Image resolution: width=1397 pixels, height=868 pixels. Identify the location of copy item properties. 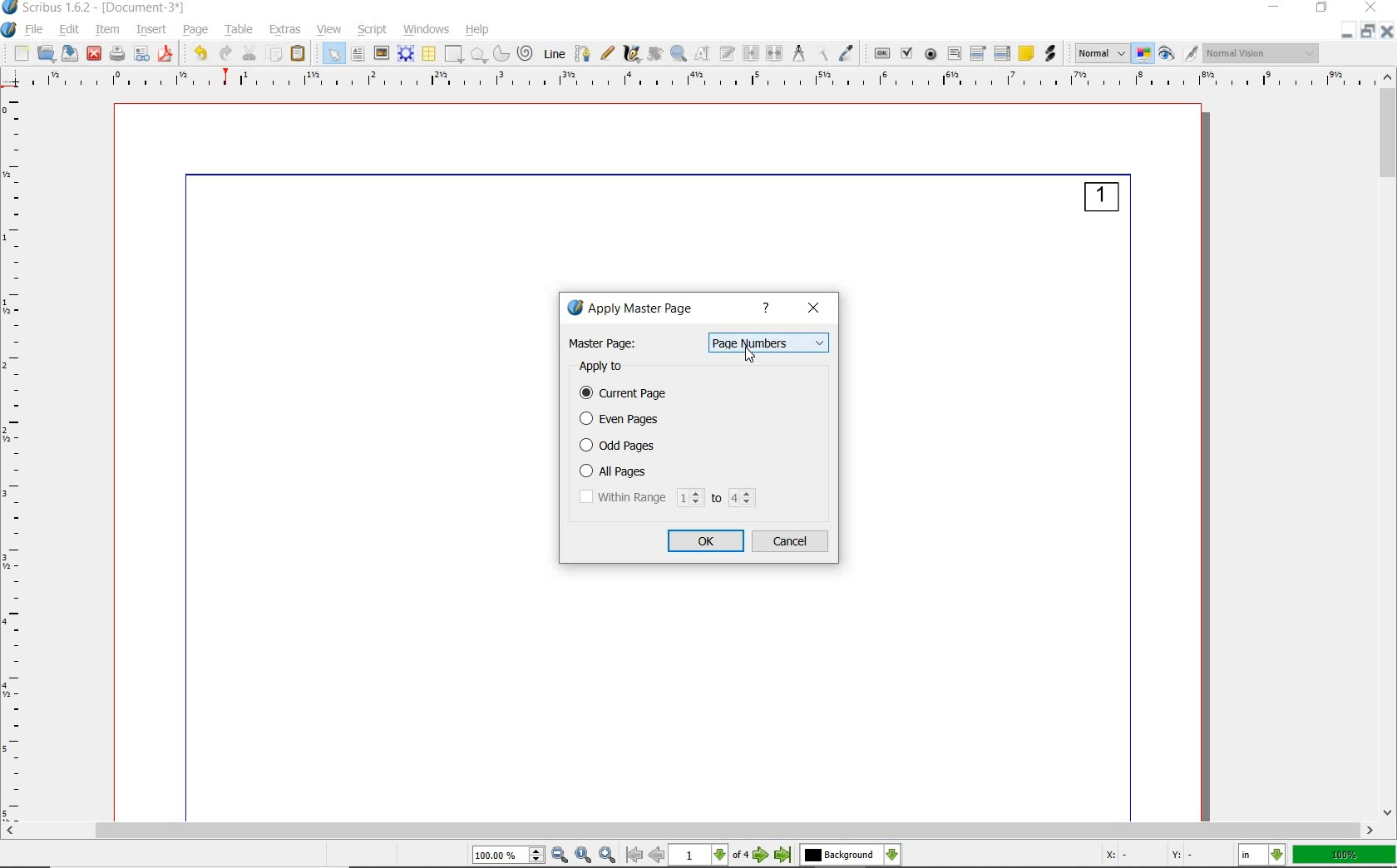
(822, 54).